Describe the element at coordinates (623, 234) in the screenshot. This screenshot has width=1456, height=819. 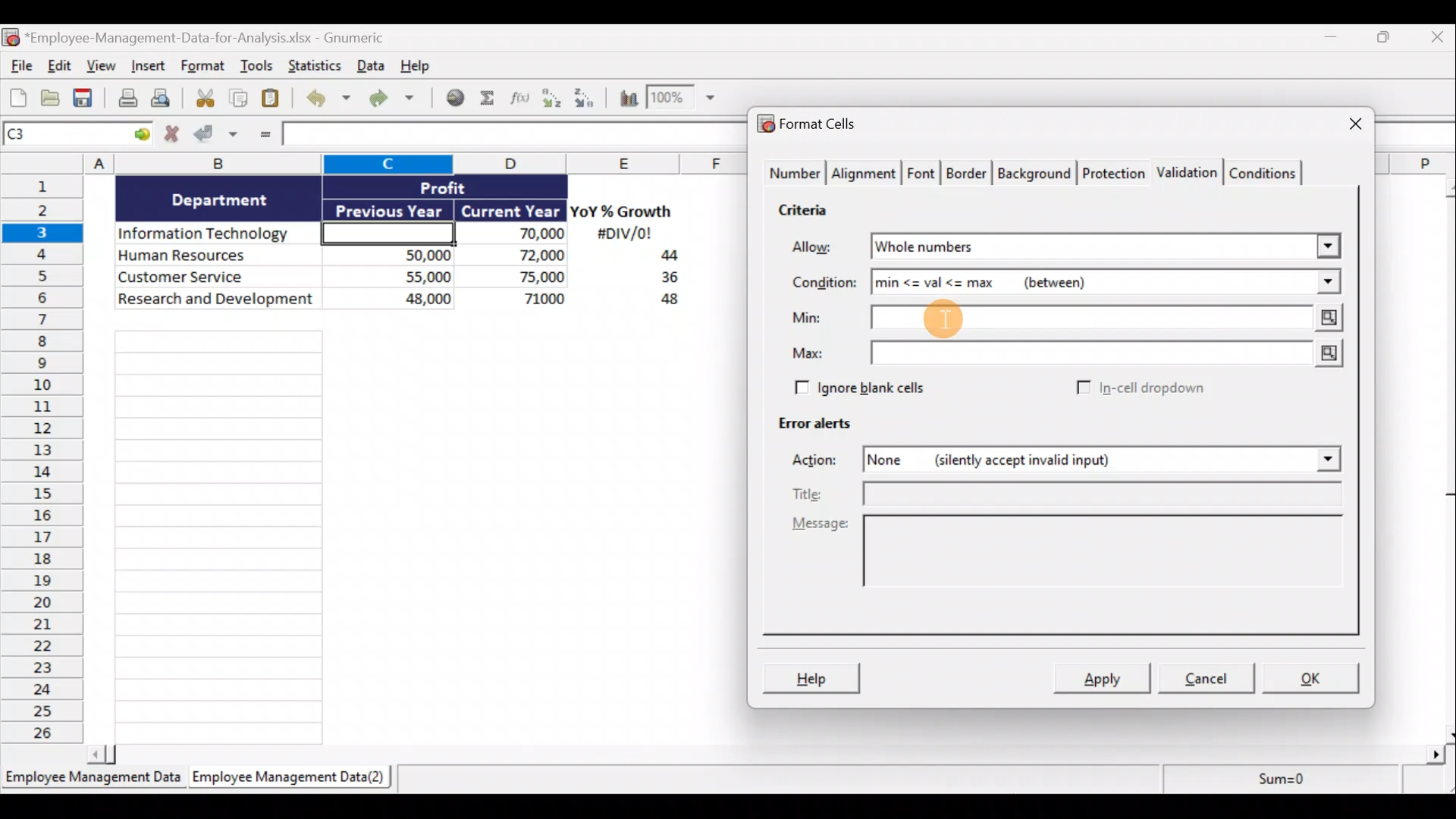
I see `#DIV/0!` at that location.